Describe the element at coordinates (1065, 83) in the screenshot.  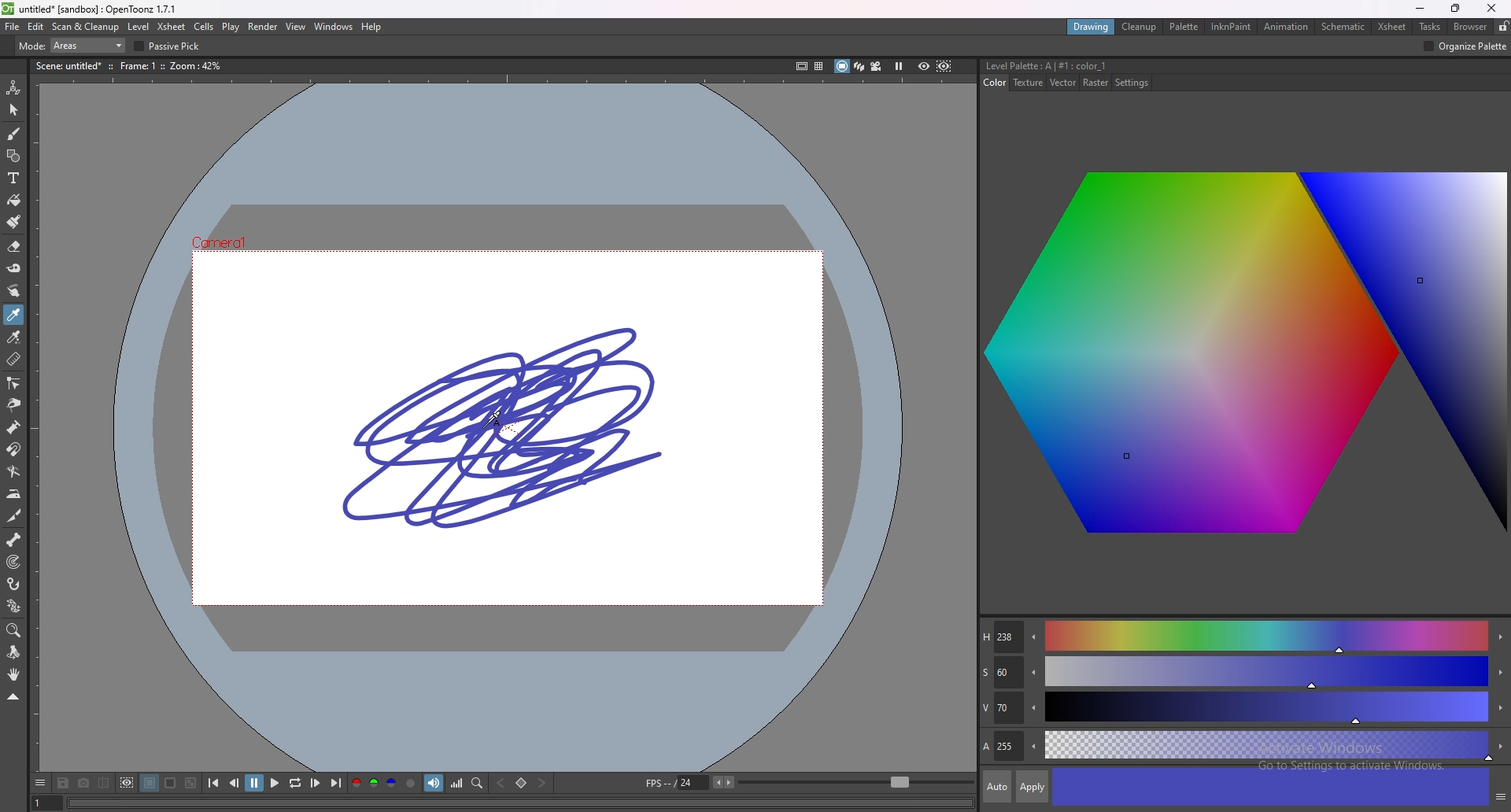
I see `vector` at that location.